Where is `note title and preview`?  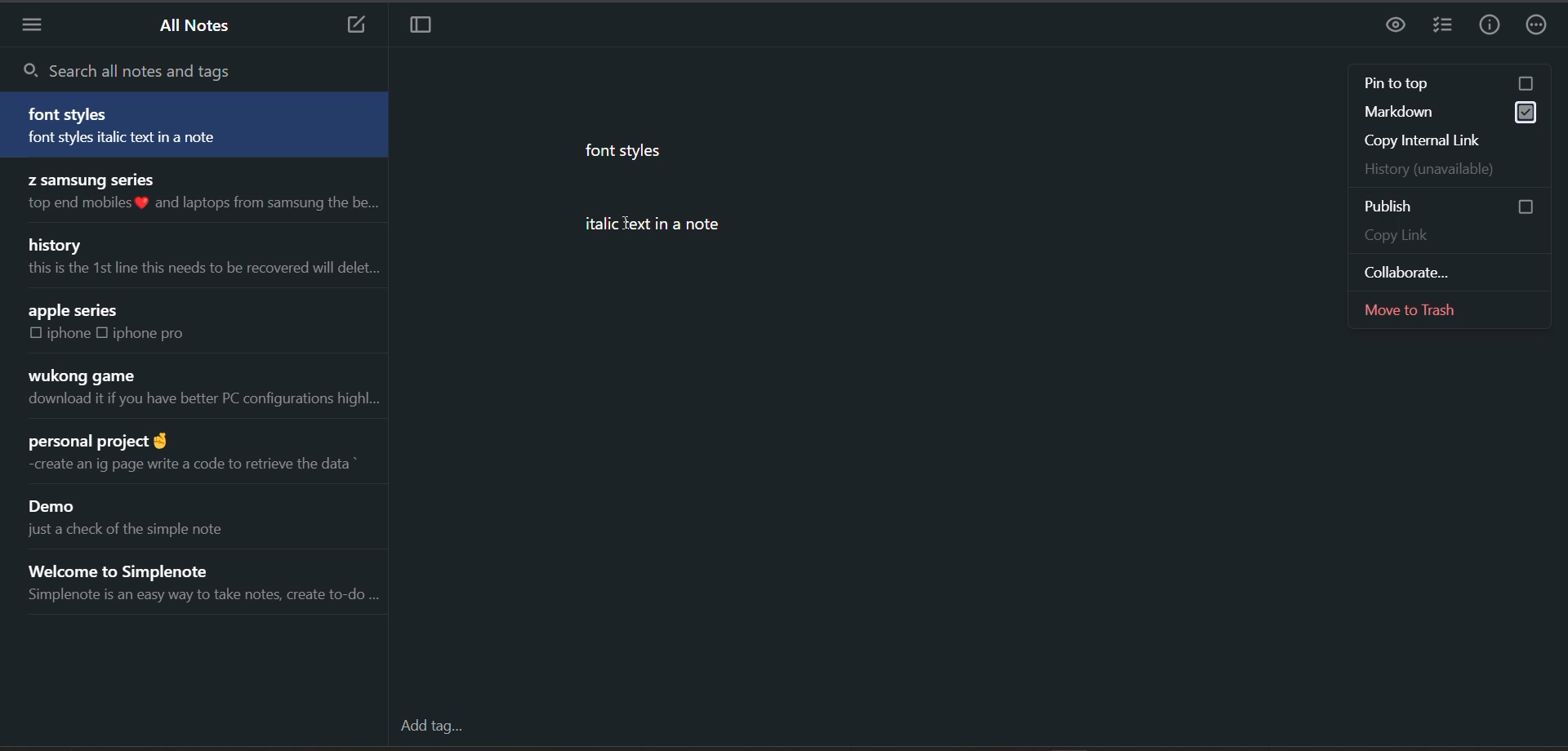 note title and preview is located at coordinates (197, 457).